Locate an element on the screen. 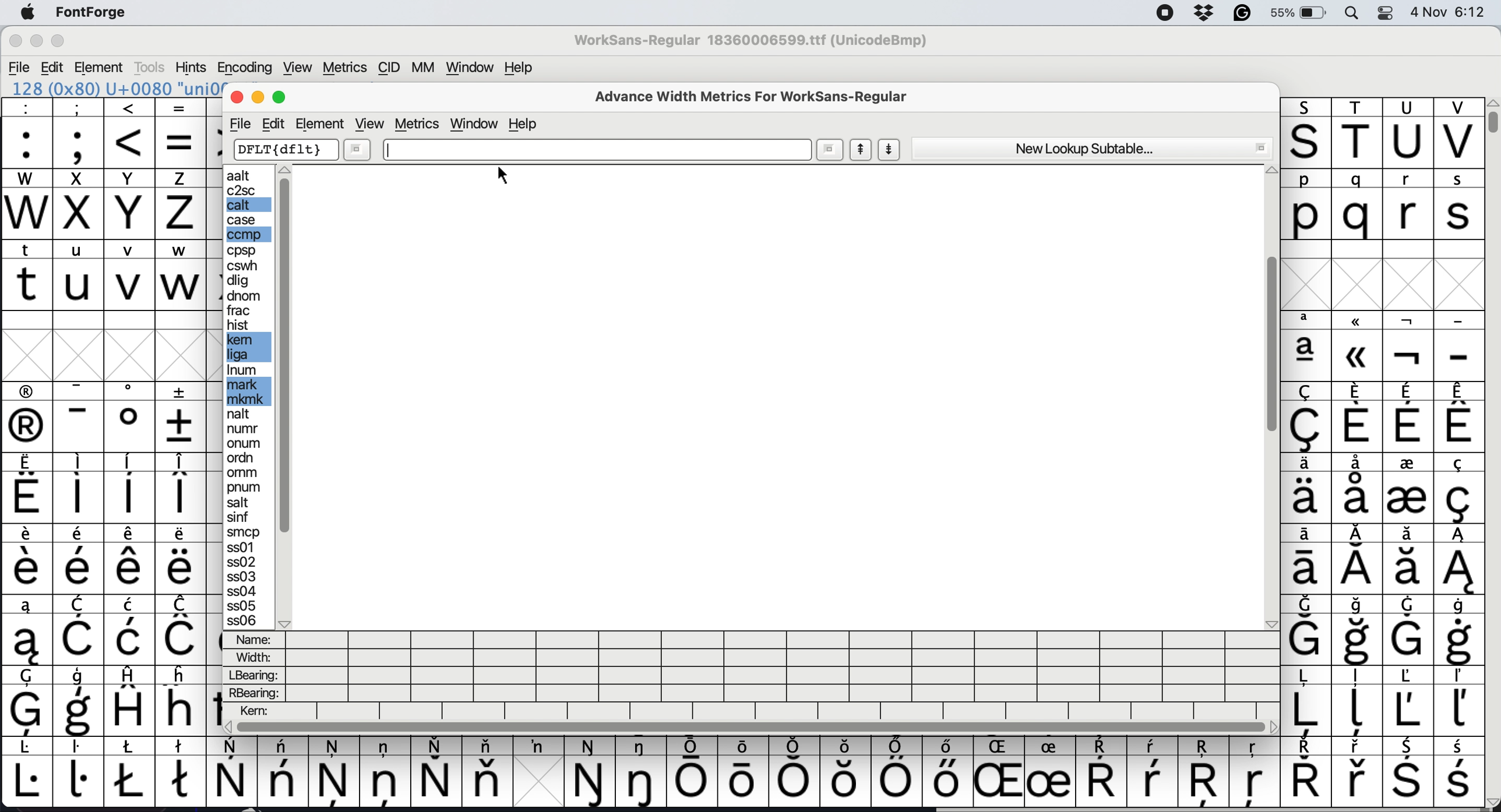 This screenshot has width=1501, height=812. new lookup subtable is located at coordinates (1093, 148).